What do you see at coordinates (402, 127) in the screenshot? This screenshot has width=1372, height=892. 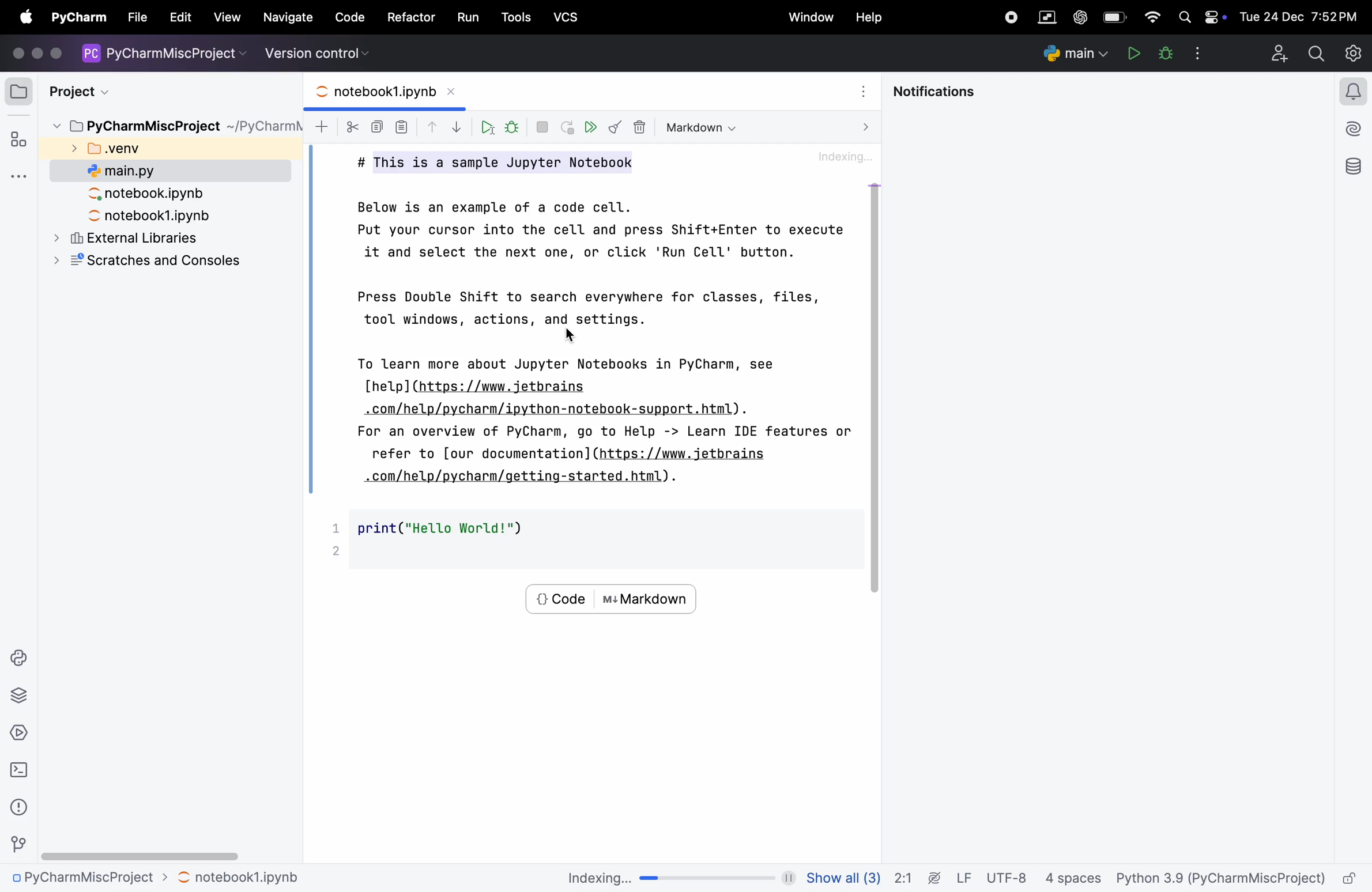 I see `paste` at bounding box center [402, 127].